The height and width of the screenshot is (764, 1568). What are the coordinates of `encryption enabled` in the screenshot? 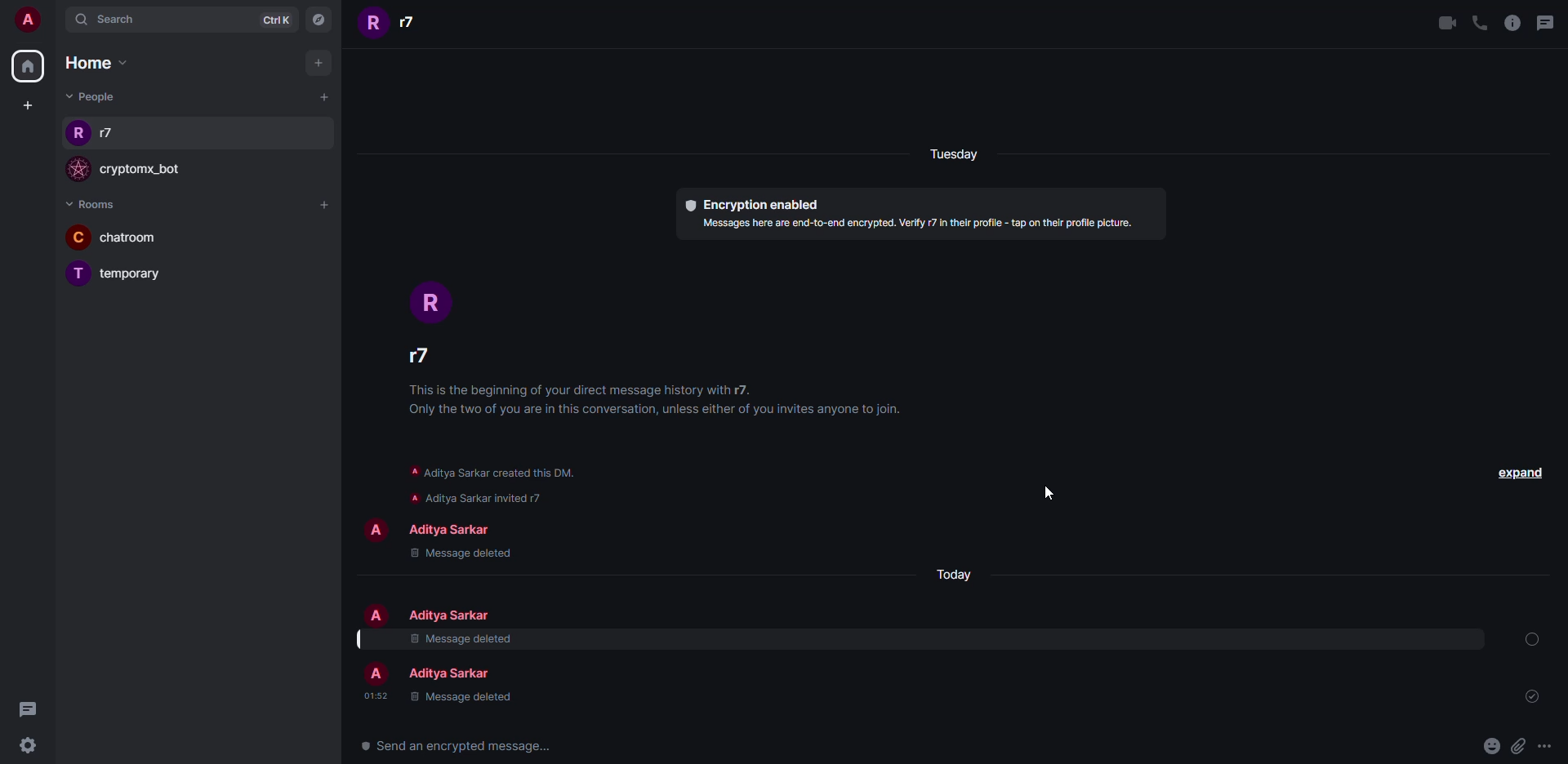 It's located at (750, 203).